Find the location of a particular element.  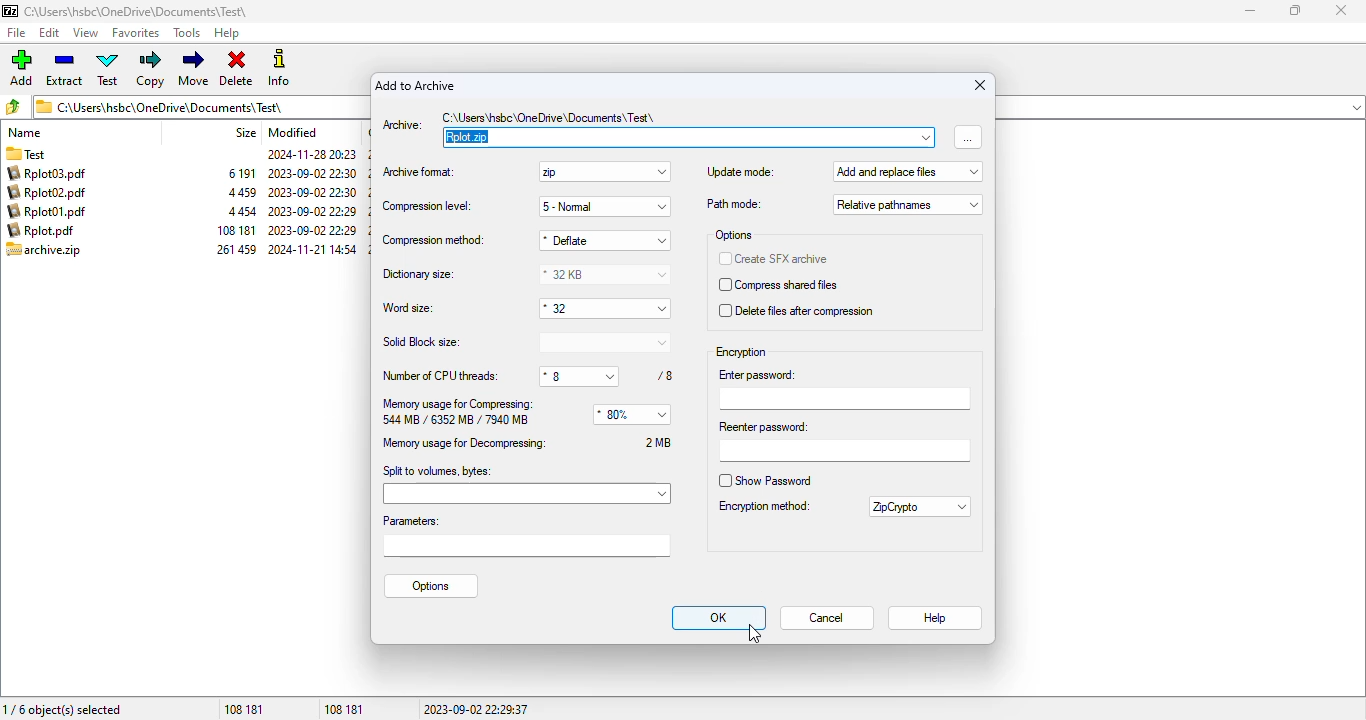

name is located at coordinates (25, 132).